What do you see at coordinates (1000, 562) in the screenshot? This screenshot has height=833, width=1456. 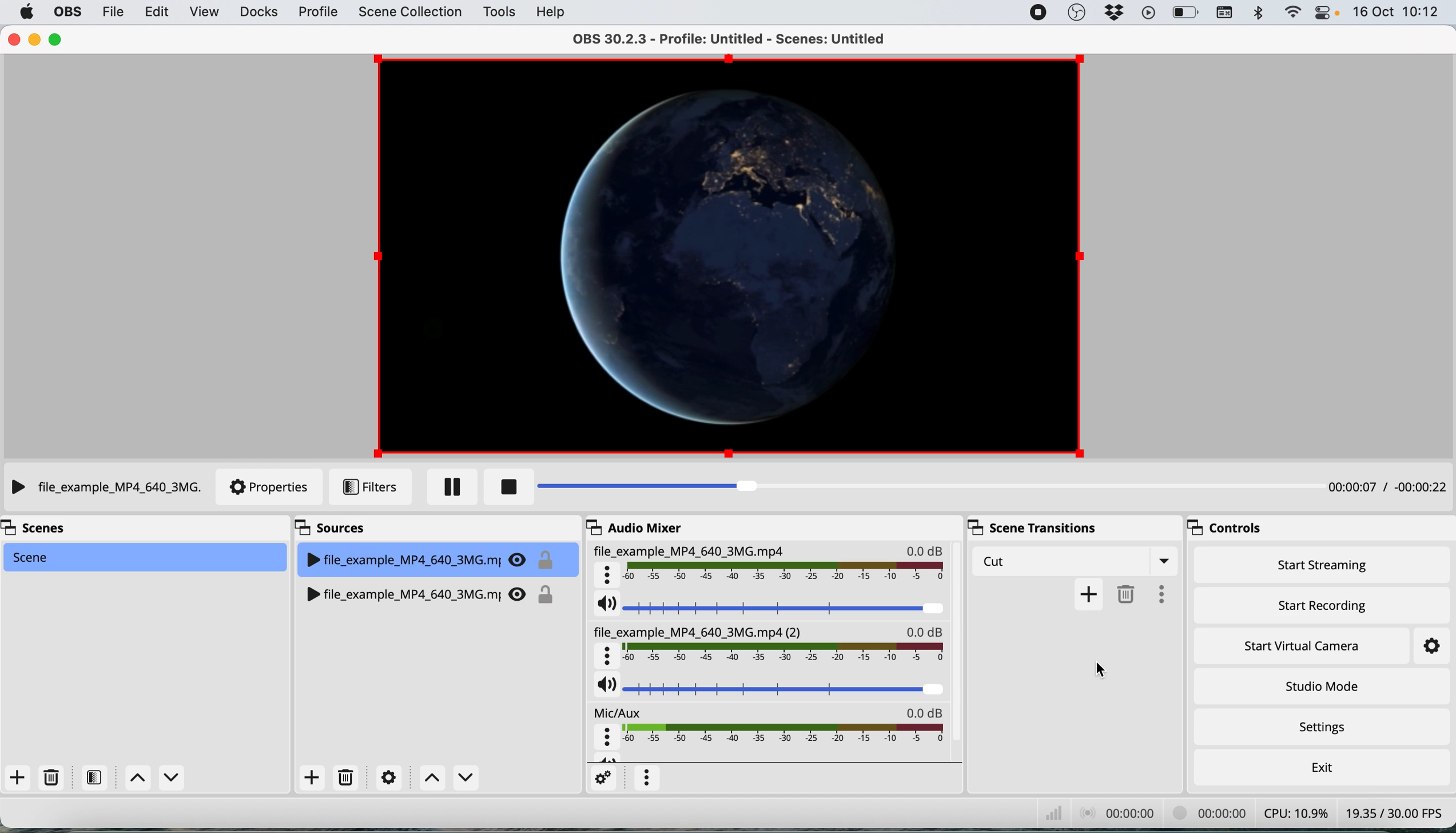 I see `fade` at bounding box center [1000, 562].